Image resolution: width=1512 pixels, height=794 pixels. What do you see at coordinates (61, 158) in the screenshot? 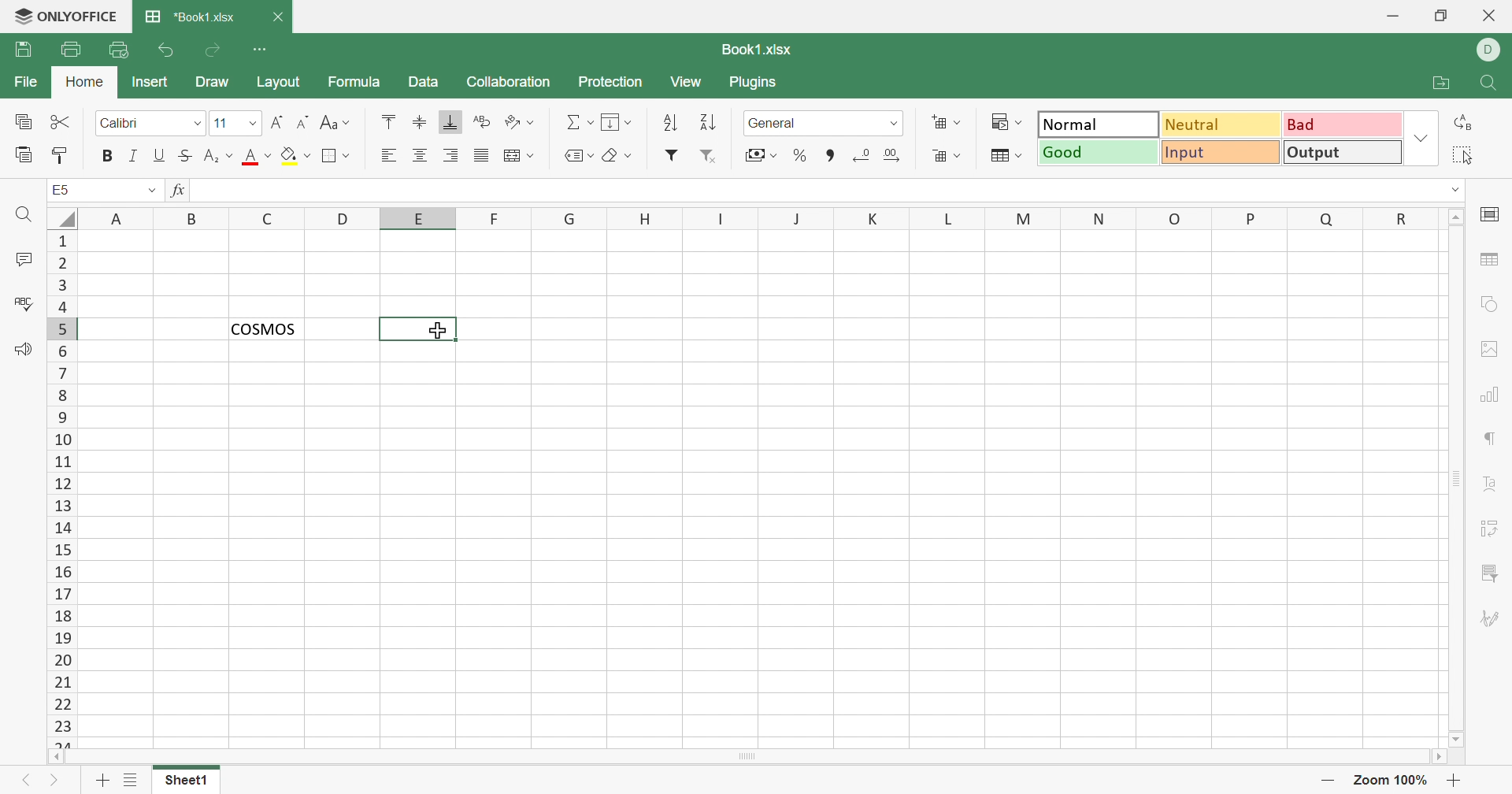
I see `Copy style` at bounding box center [61, 158].